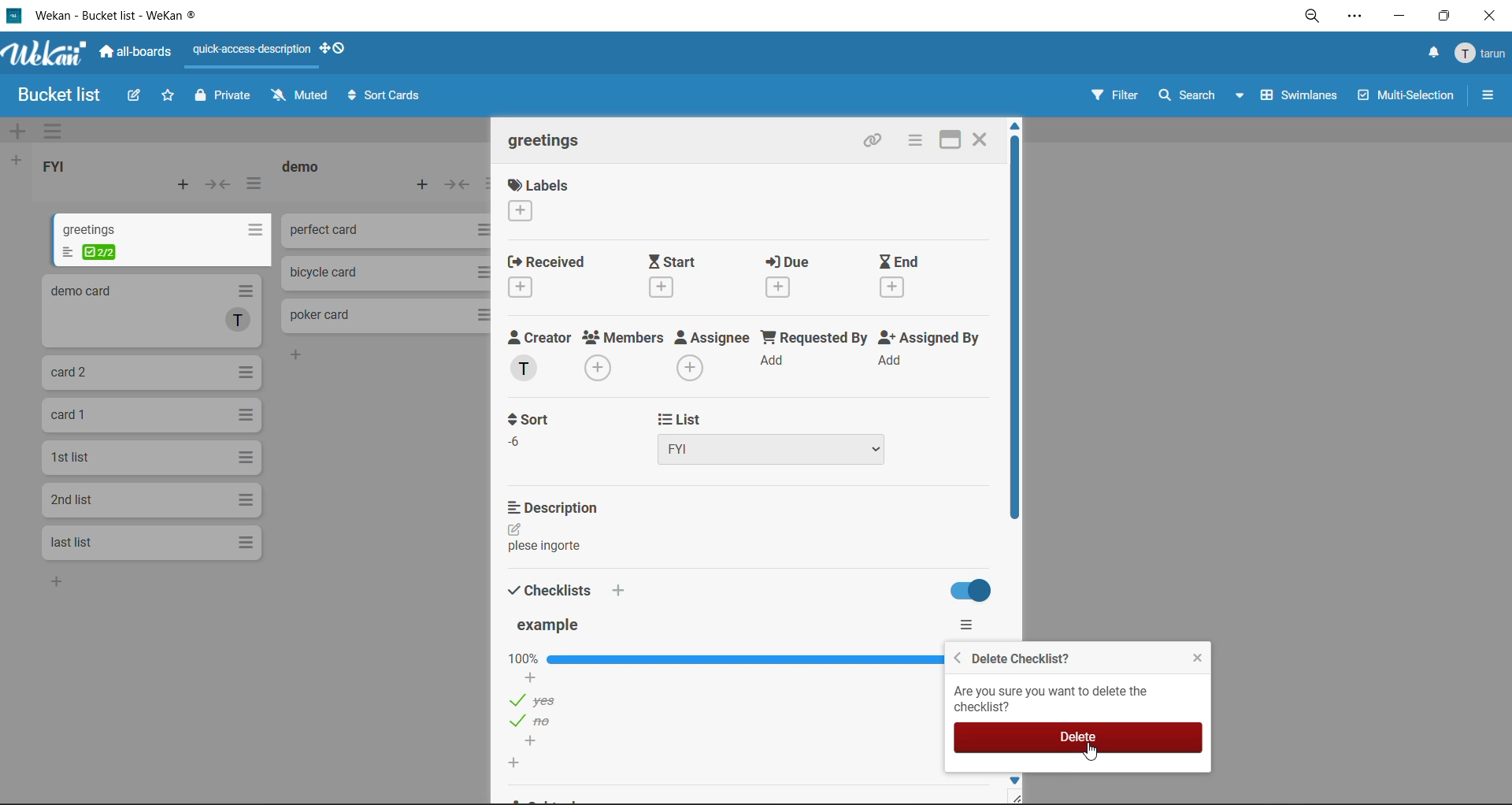 The image size is (1512, 805). Describe the element at coordinates (150, 541) in the screenshot. I see `cards` at that location.